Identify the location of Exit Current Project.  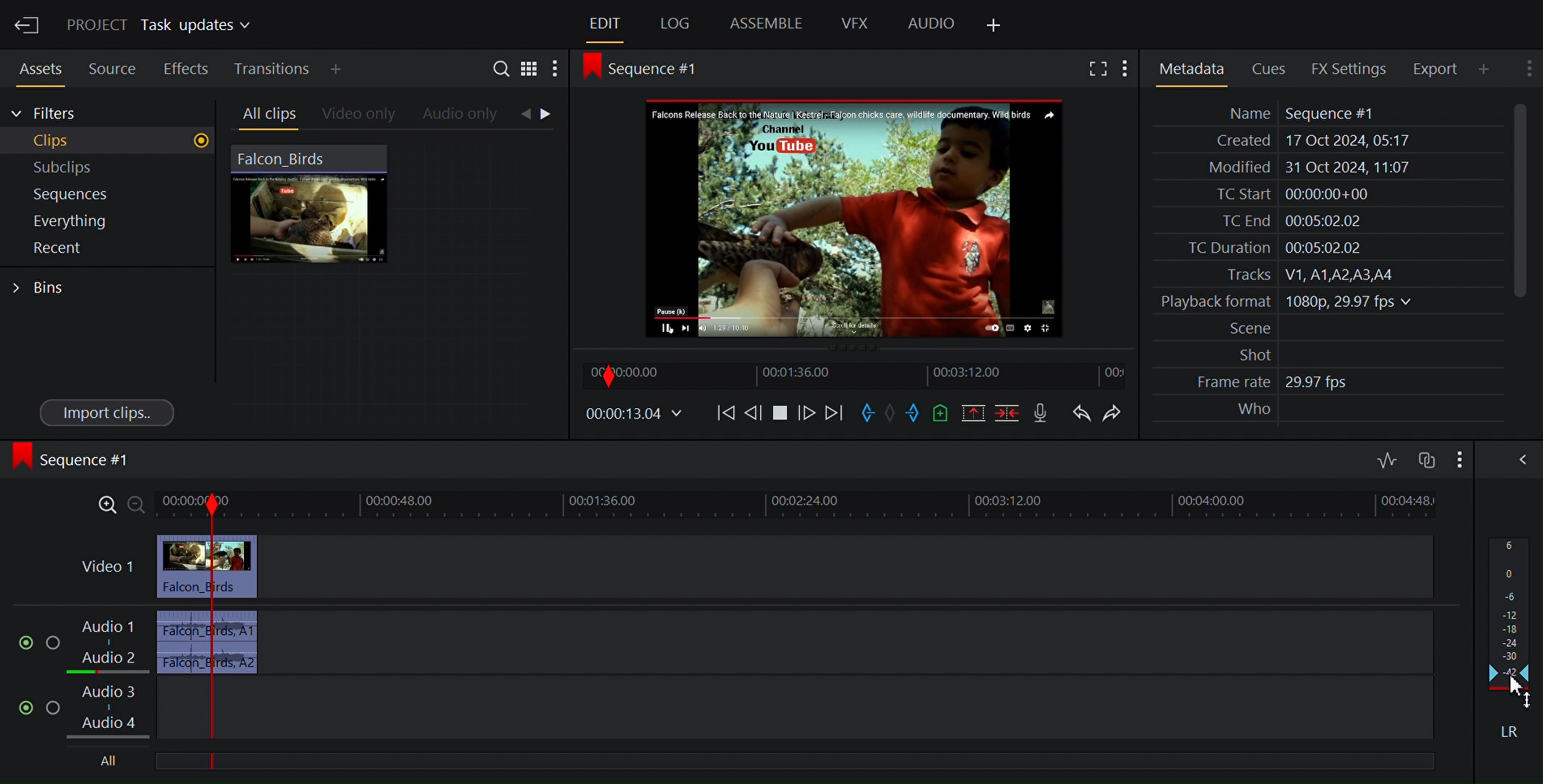
(28, 26).